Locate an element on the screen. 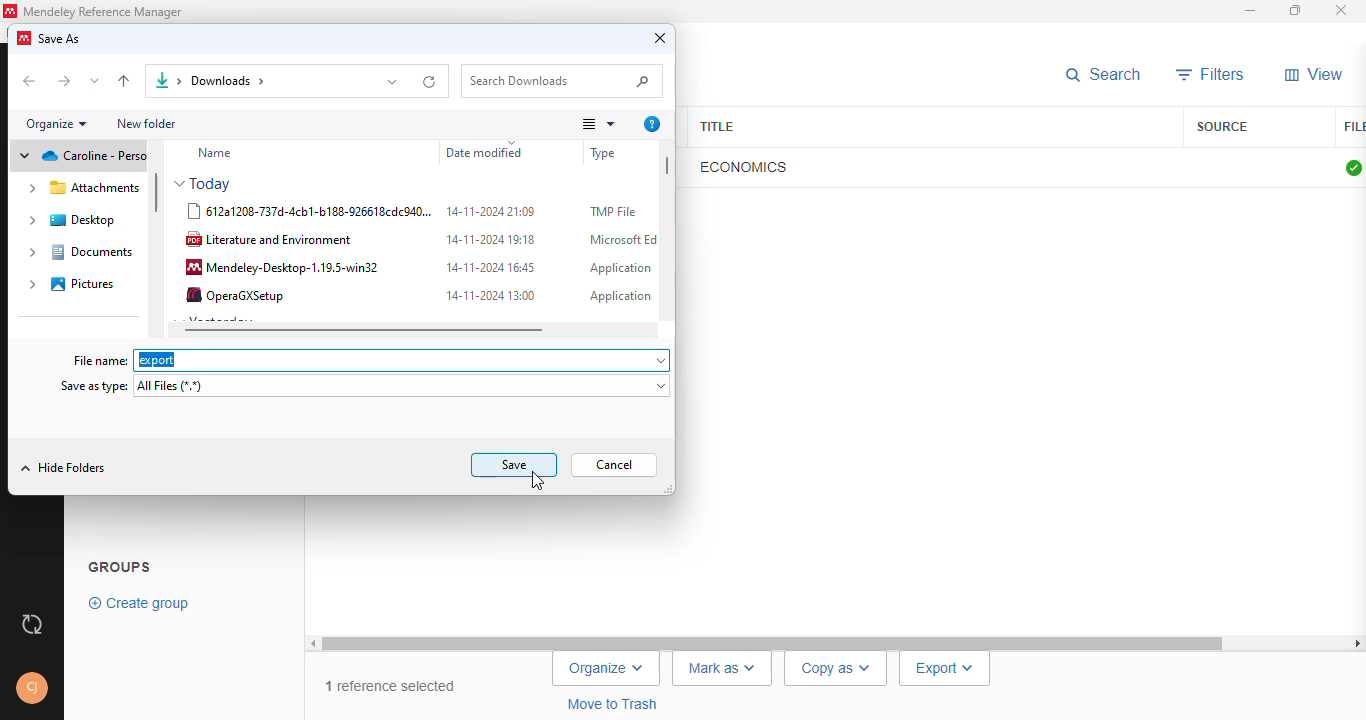  maximize is located at coordinates (1296, 10).